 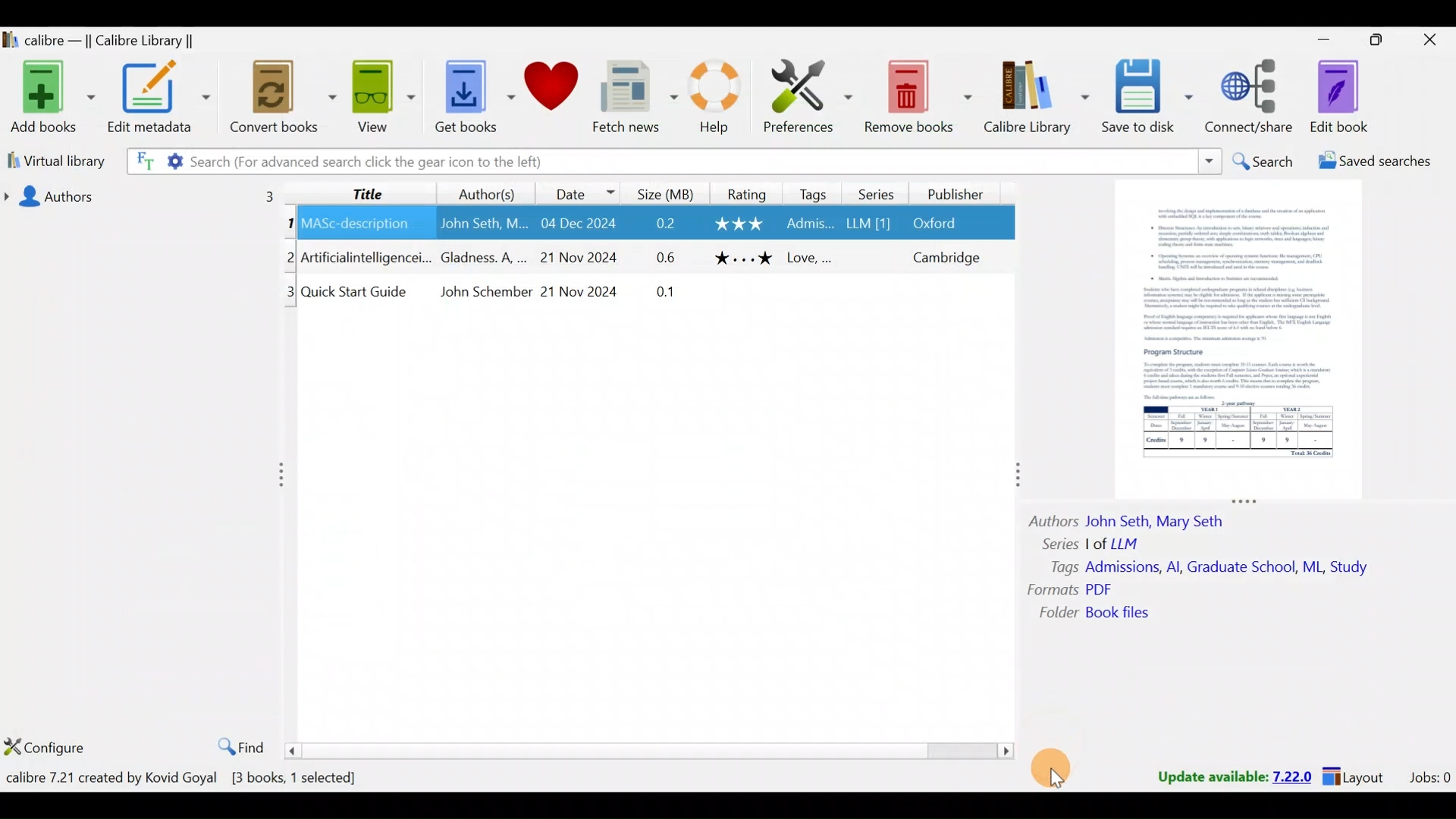 What do you see at coordinates (1055, 613) in the screenshot?
I see `` at bounding box center [1055, 613].